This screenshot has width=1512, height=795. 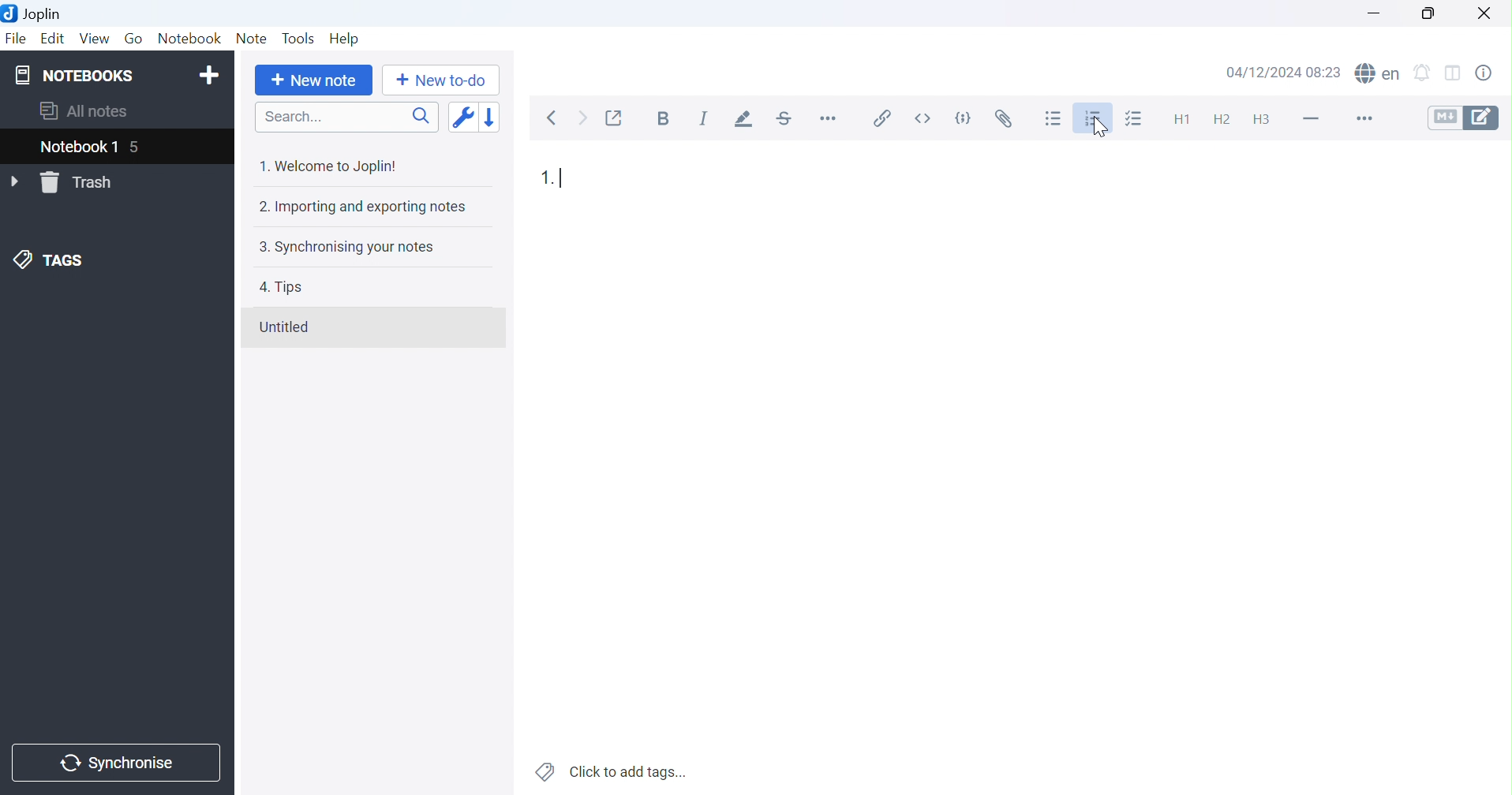 I want to click on Add notebooks, so click(x=212, y=73).